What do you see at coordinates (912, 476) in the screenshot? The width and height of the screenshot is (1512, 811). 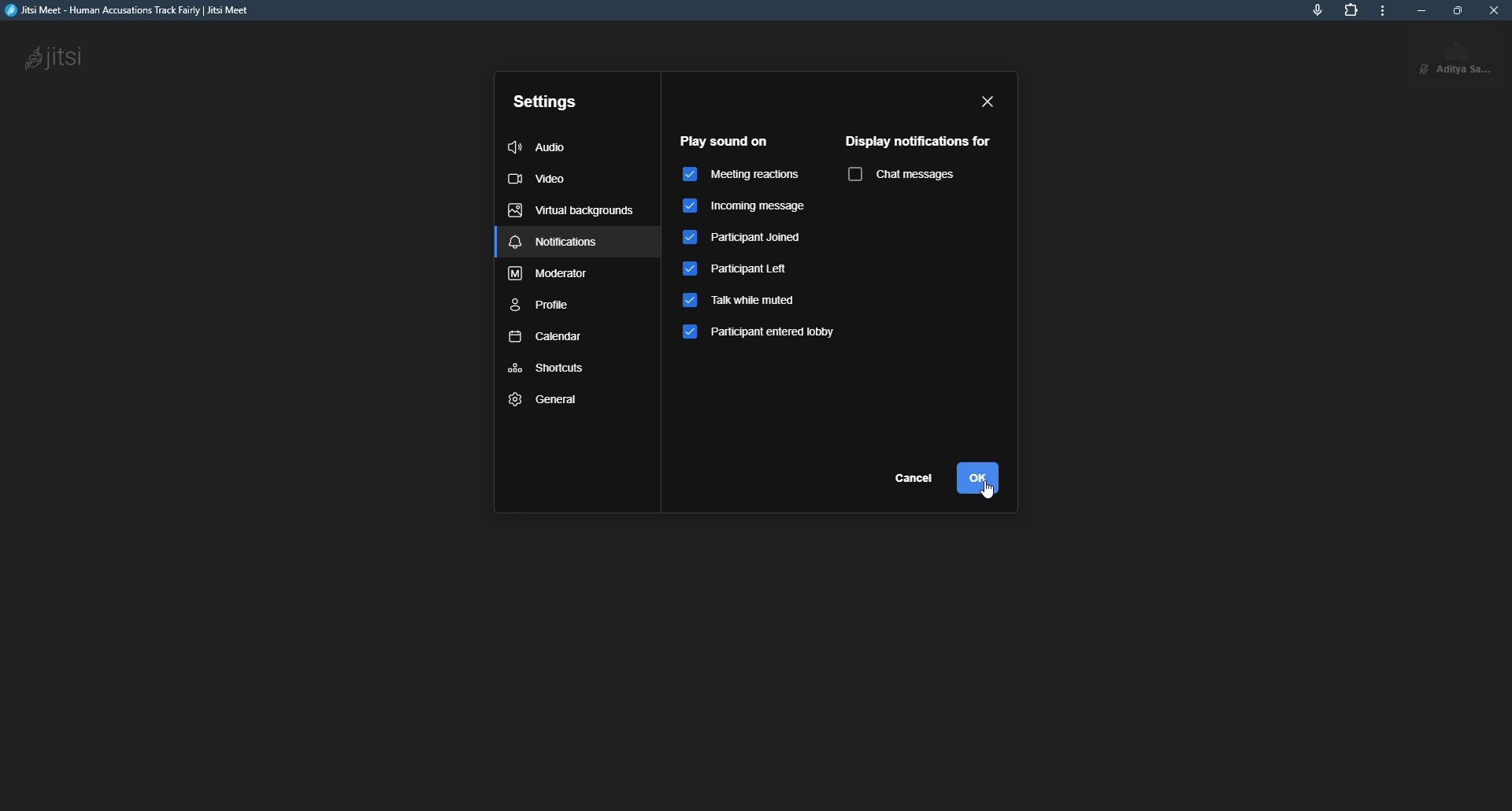 I see `cancel` at bounding box center [912, 476].